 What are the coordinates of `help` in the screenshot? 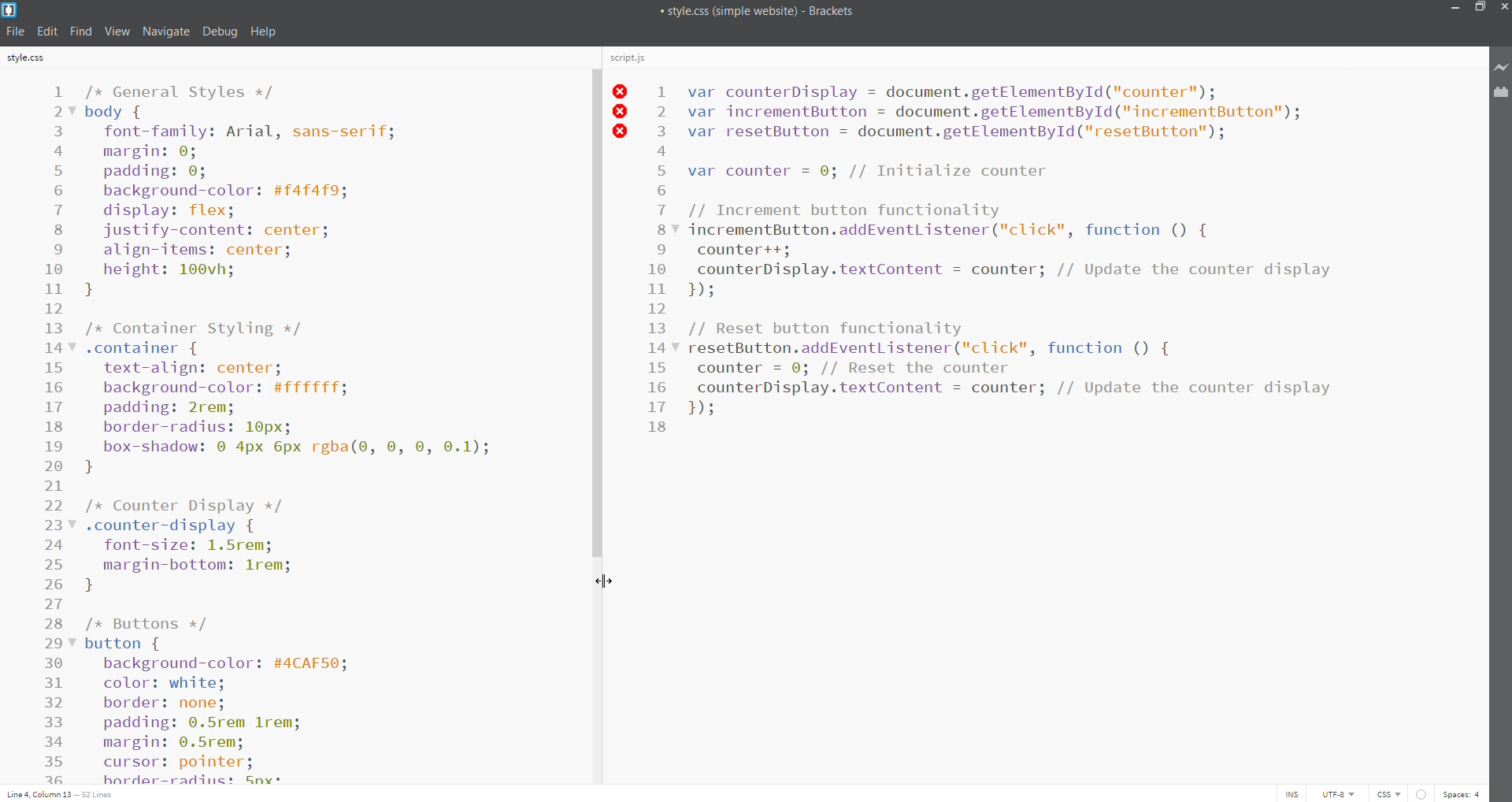 It's located at (269, 32).